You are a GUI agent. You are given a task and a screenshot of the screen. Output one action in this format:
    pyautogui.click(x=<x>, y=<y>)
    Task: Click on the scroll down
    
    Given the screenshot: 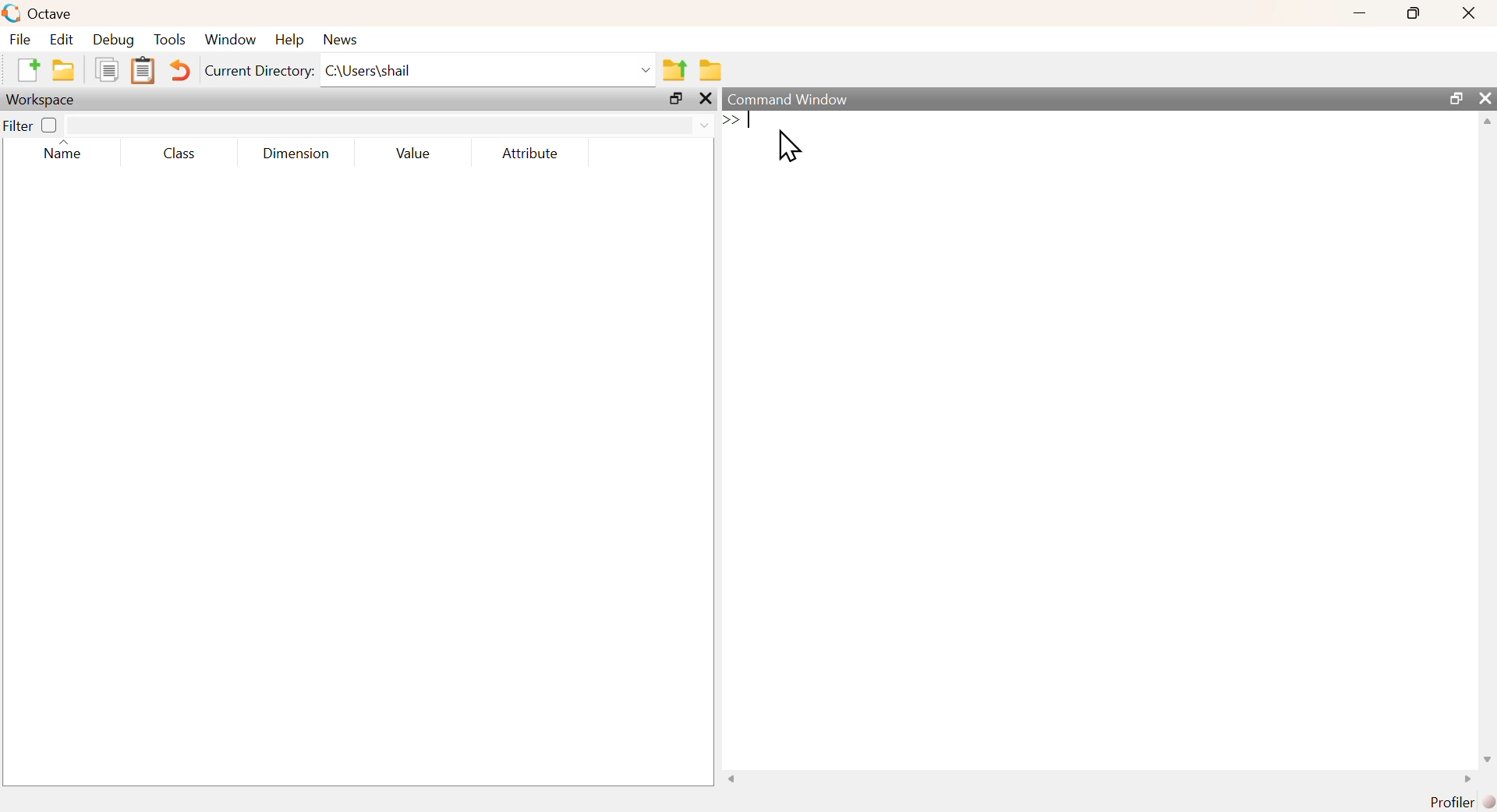 What is the action you would take?
    pyautogui.click(x=1487, y=759)
    